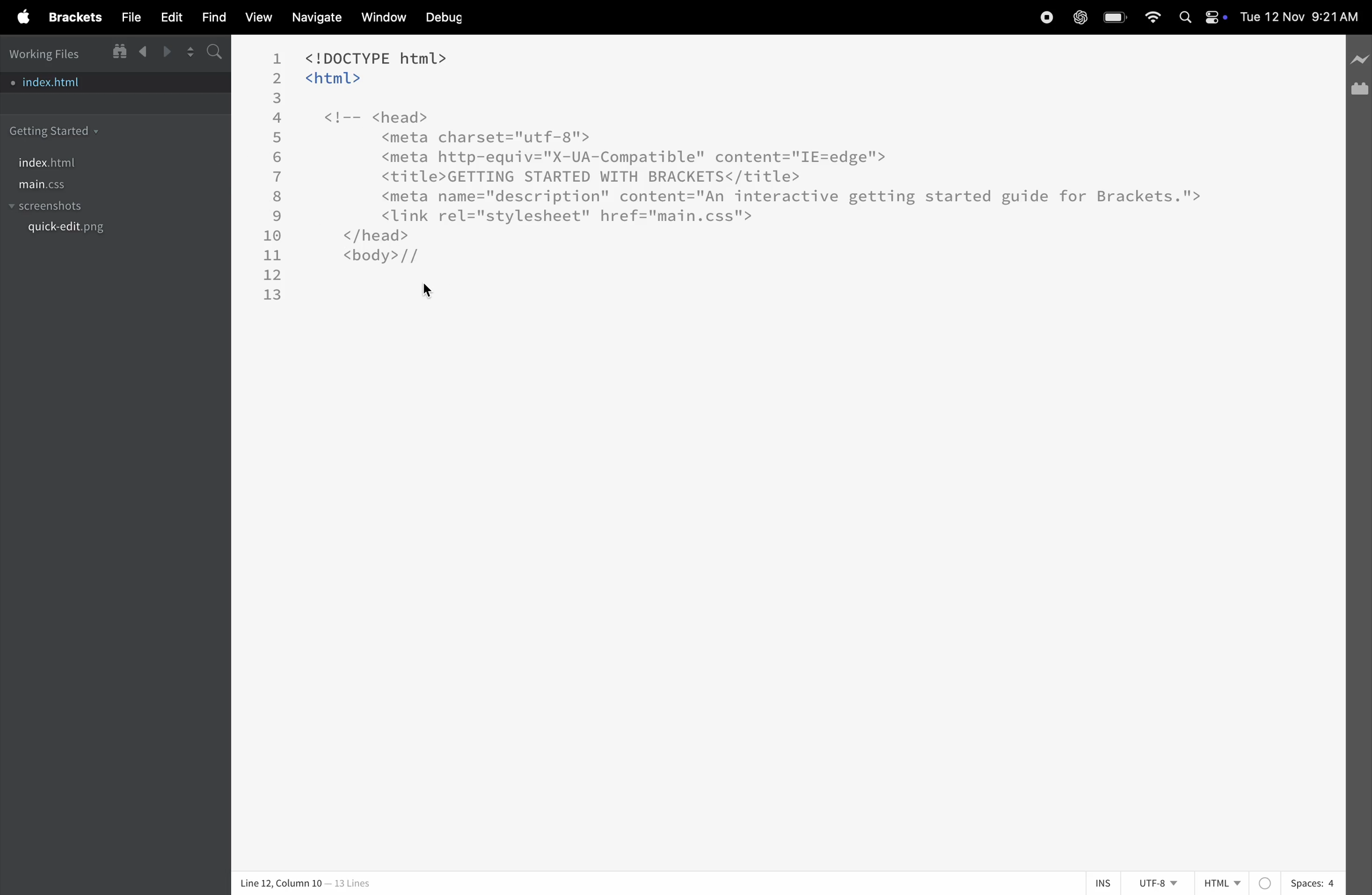 The height and width of the screenshot is (895, 1372). Describe the element at coordinates (255, 18) in the screenshot. I see `view` at that location.